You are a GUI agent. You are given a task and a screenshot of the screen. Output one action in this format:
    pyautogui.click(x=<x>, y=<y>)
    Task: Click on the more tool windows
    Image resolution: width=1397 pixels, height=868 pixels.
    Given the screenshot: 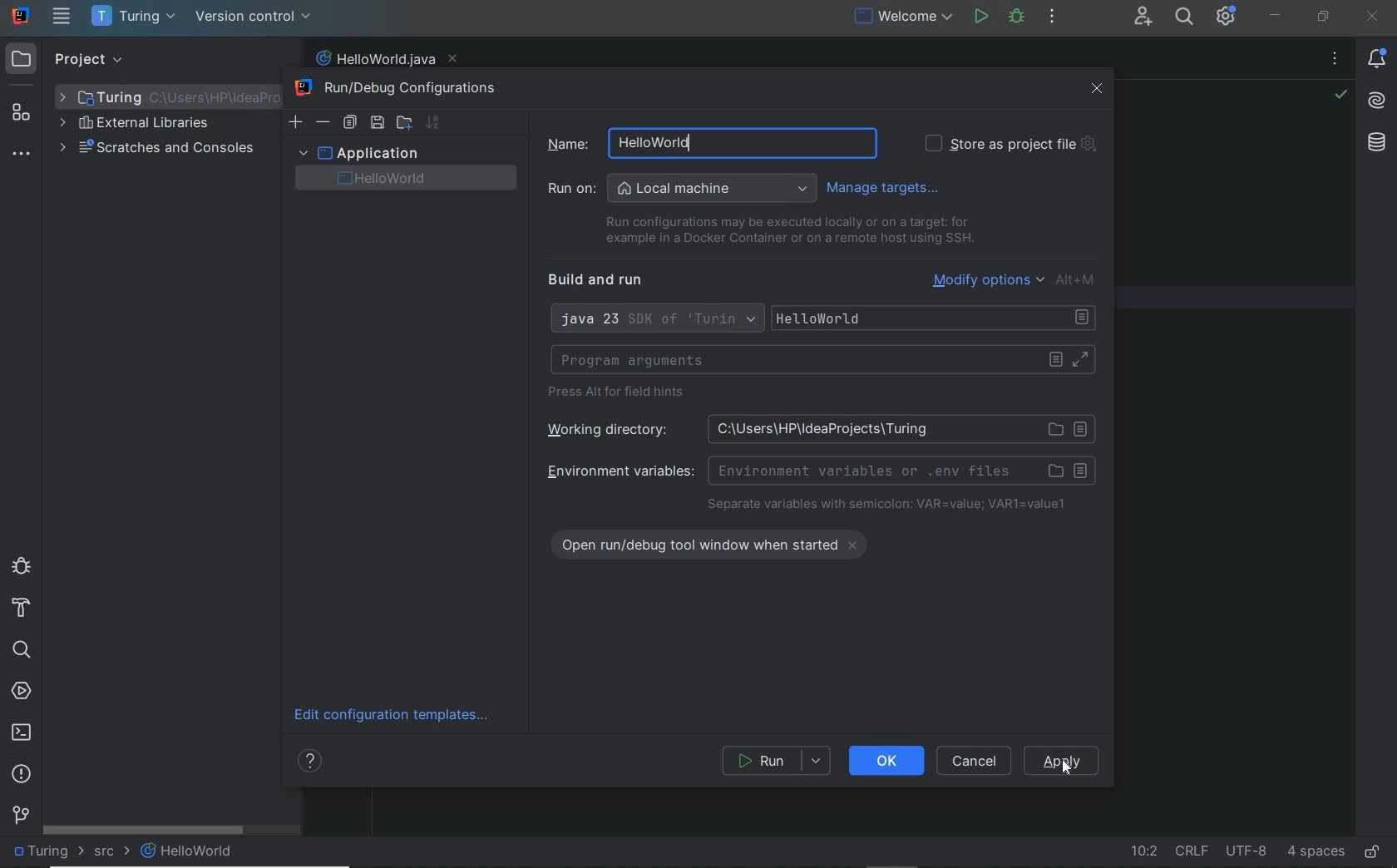 What is the action you would take?
    pyautogui.click(x=20, y=155)
    